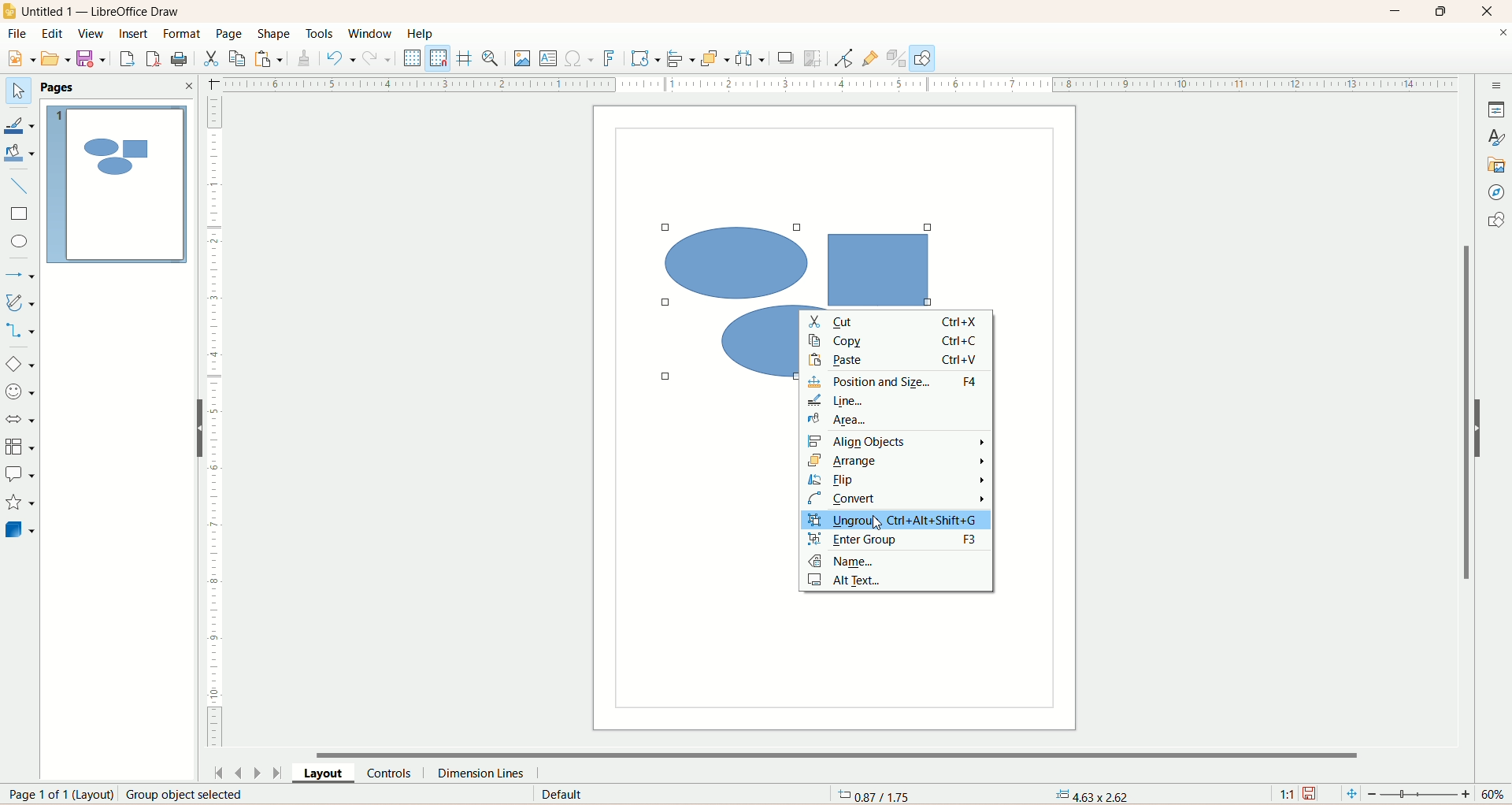 The width and height of the screenshot is (1512, 805). I want to click on file, so click(16, 35).